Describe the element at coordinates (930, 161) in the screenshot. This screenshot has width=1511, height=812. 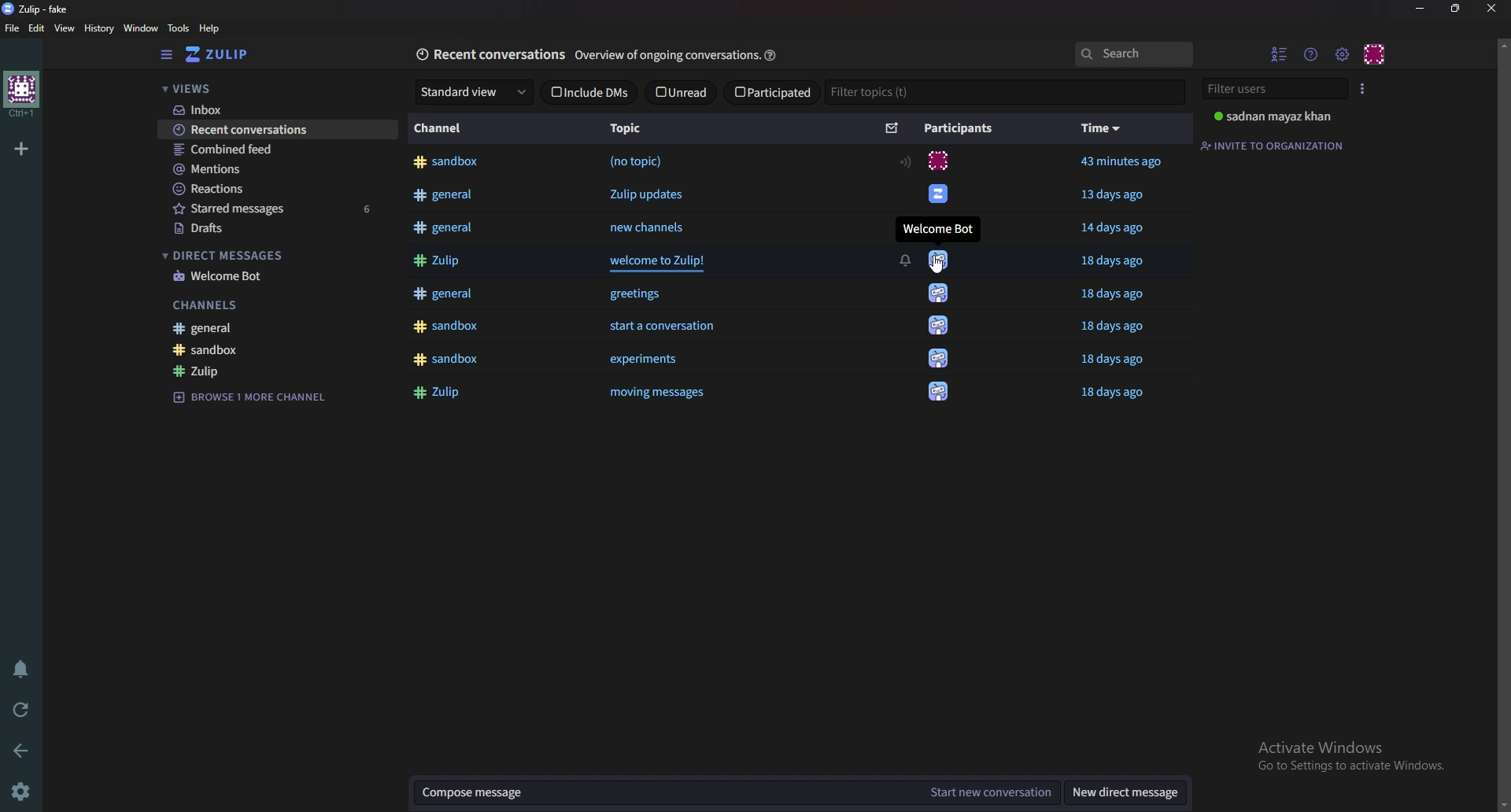
I see `icon` at that location.